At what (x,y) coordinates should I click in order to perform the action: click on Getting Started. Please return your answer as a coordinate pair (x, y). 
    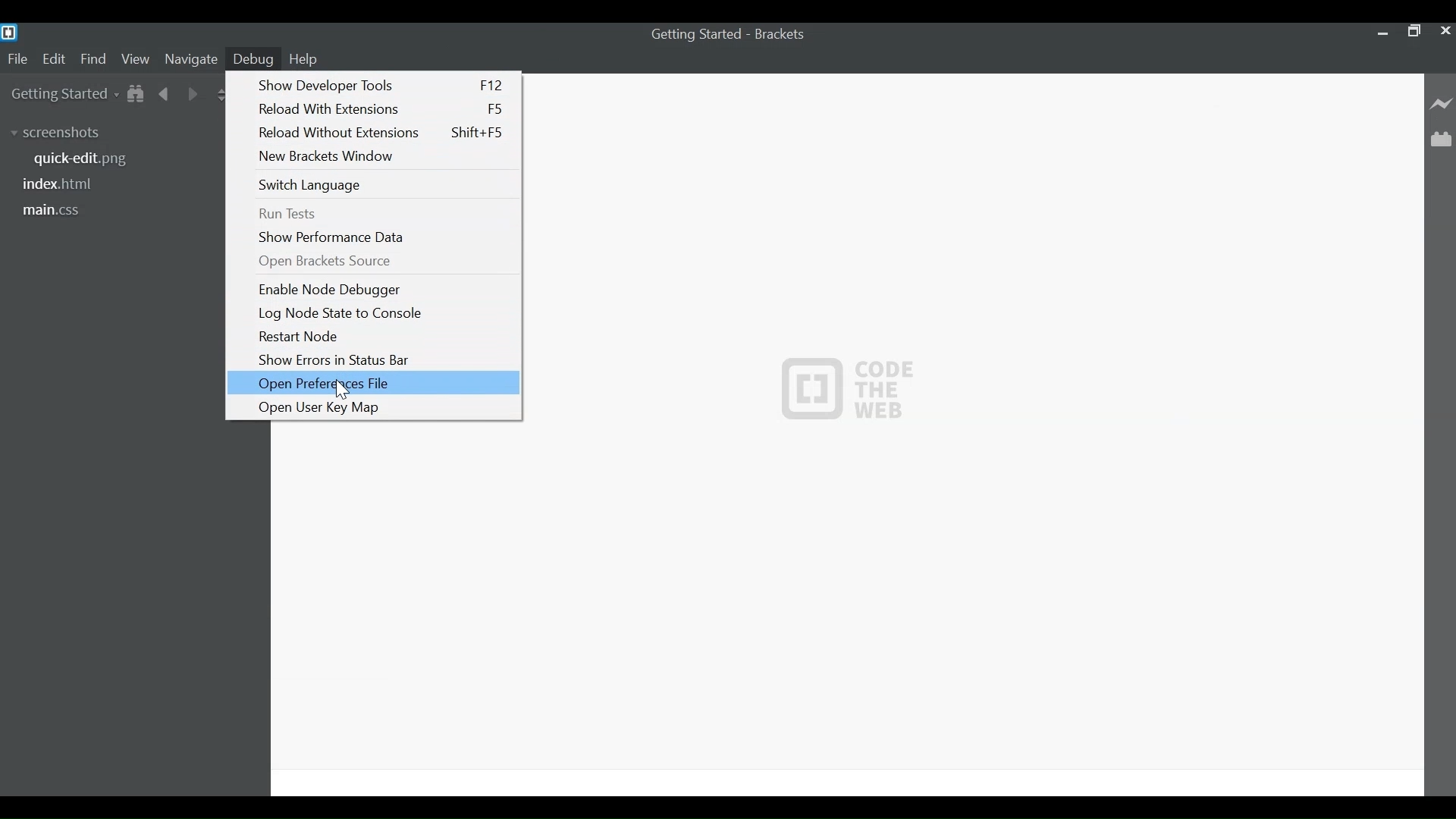
    Looking at the image, I should click on (60, 95).